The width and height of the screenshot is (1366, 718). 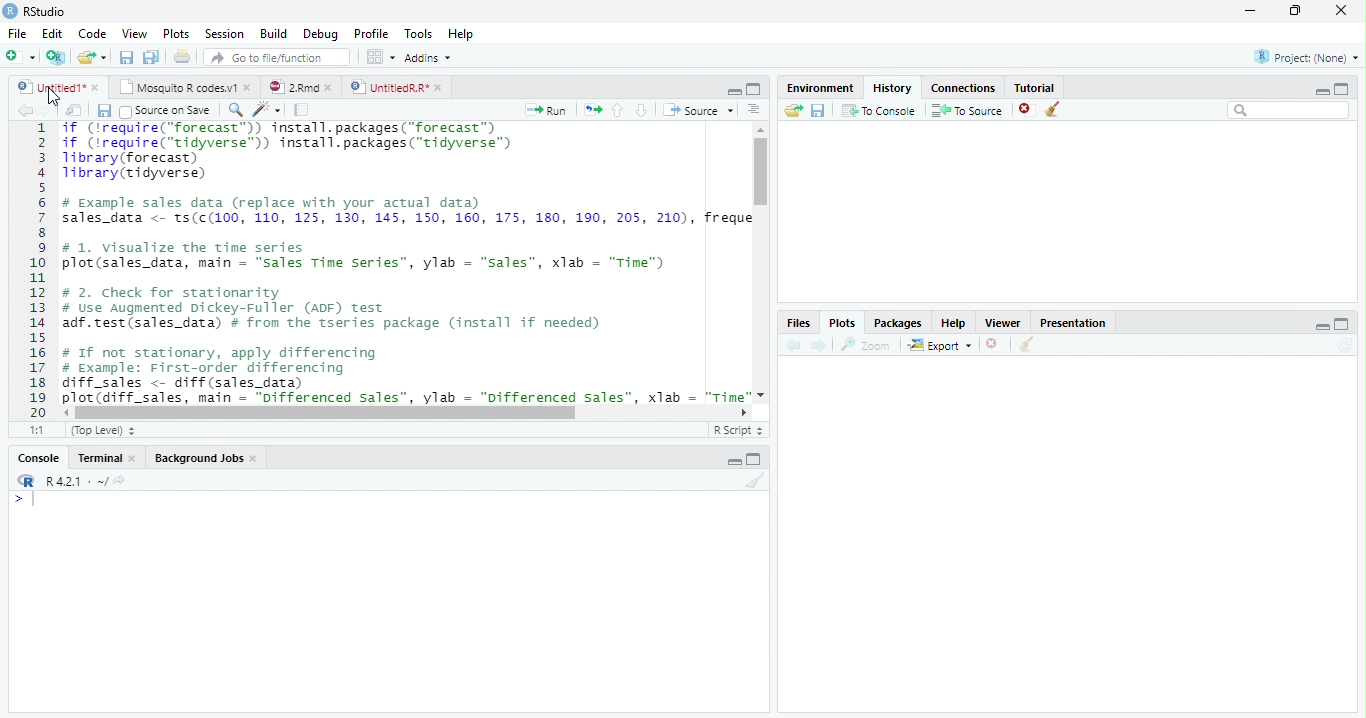 I want to click on # 1. visualize the time series
plot(sales_data, main — "sales Time Series”, ylab = “sales”, xlab = "Time"), so click(x=363, y=255).